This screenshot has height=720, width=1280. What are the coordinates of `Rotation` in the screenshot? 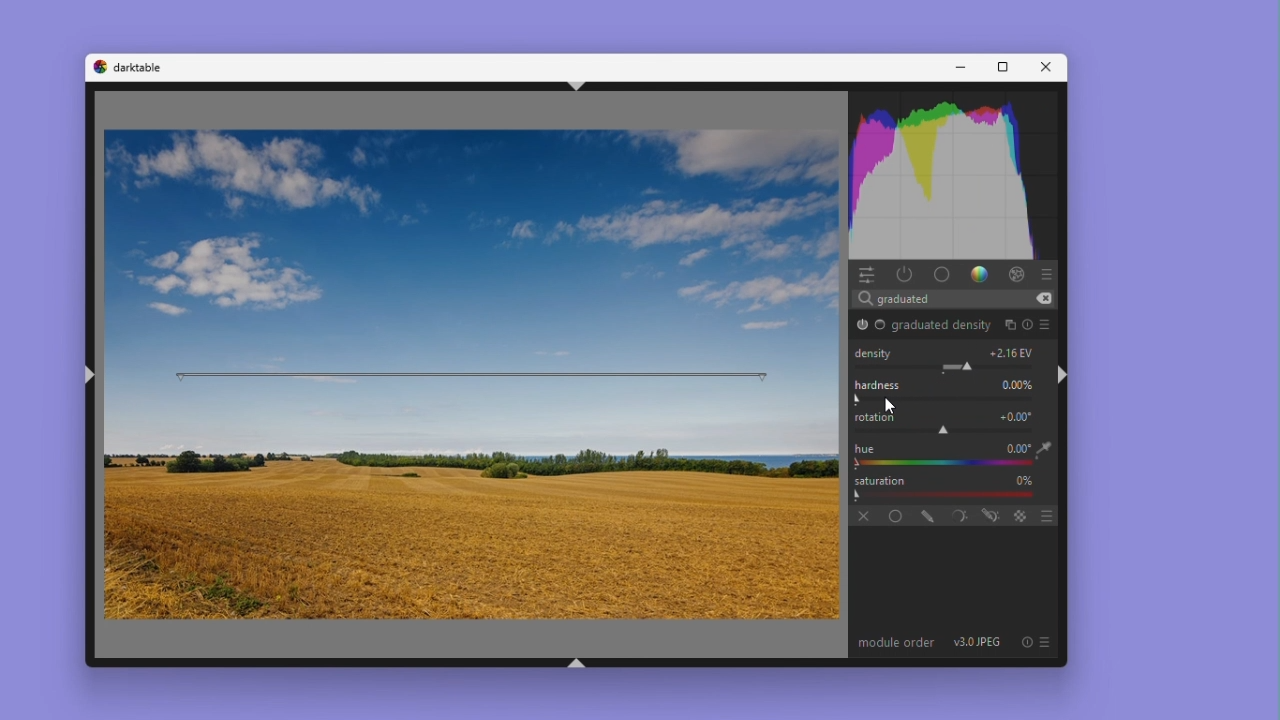 It's located at (952, 400).